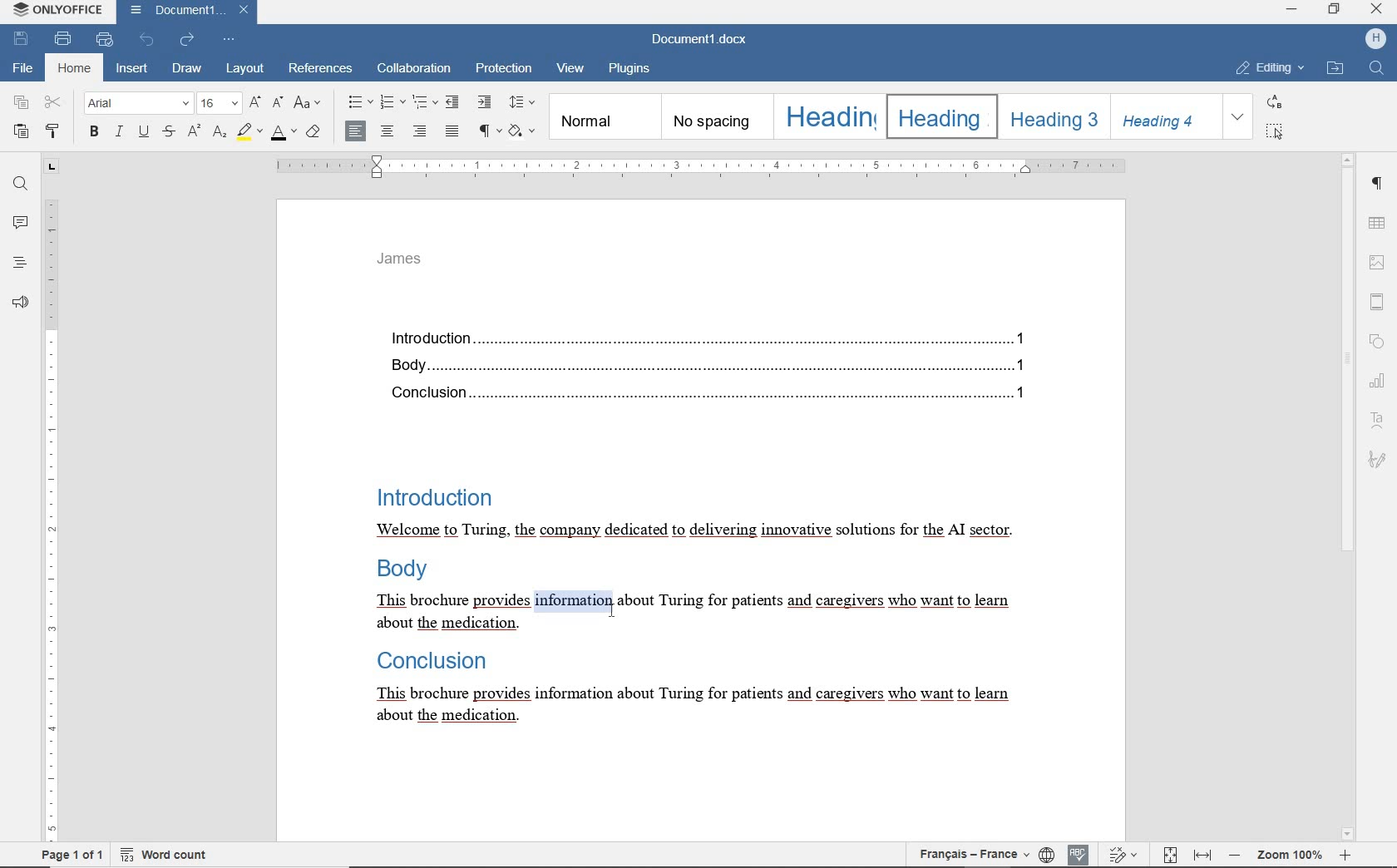  I want to click on DOCUMENT NAME, so click(187, 12).